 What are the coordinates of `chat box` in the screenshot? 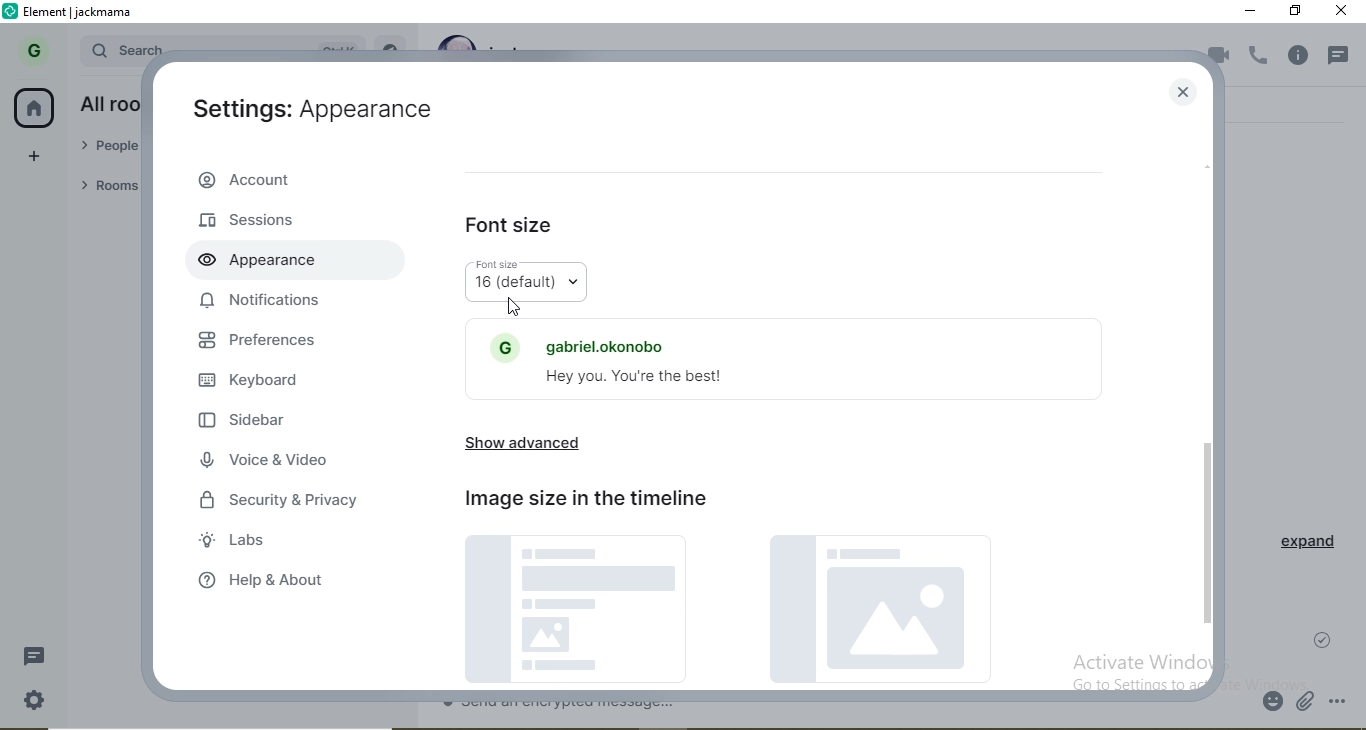 It's located at (847, 709).